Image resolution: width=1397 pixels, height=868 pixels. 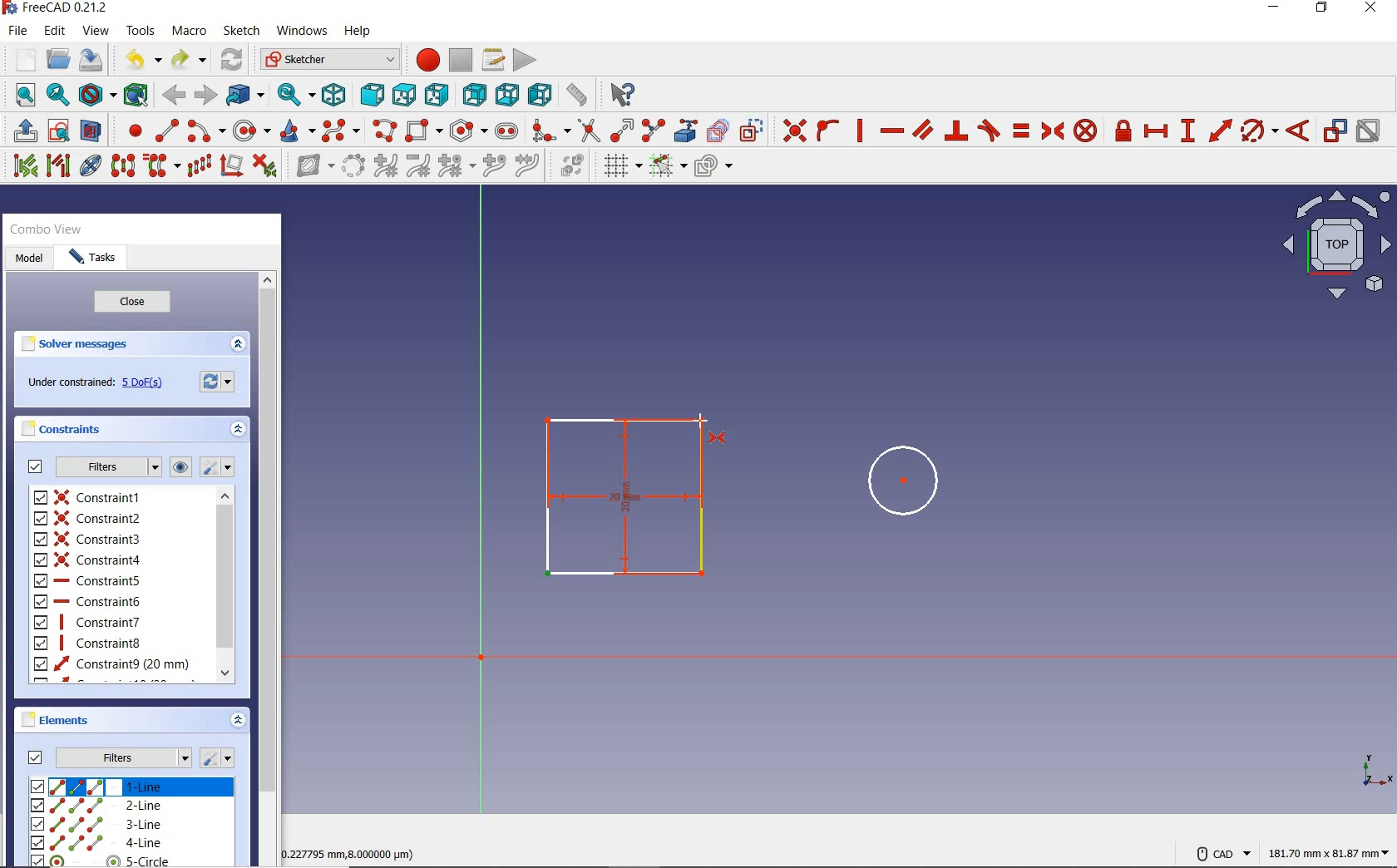 I want to click on constraint7, so click(x=88, y=622).